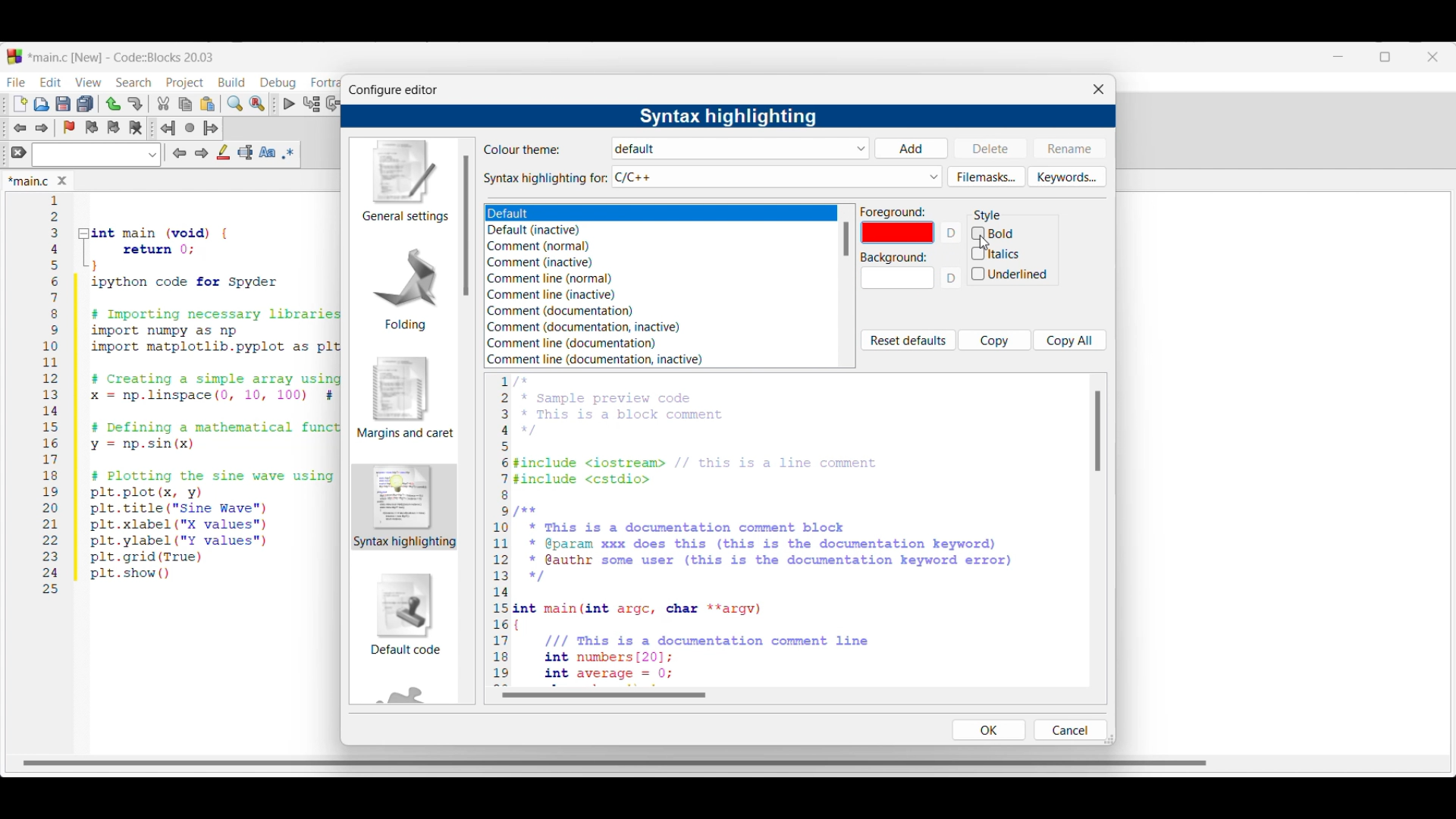  I want to click on Jump back, so click(168, 128).